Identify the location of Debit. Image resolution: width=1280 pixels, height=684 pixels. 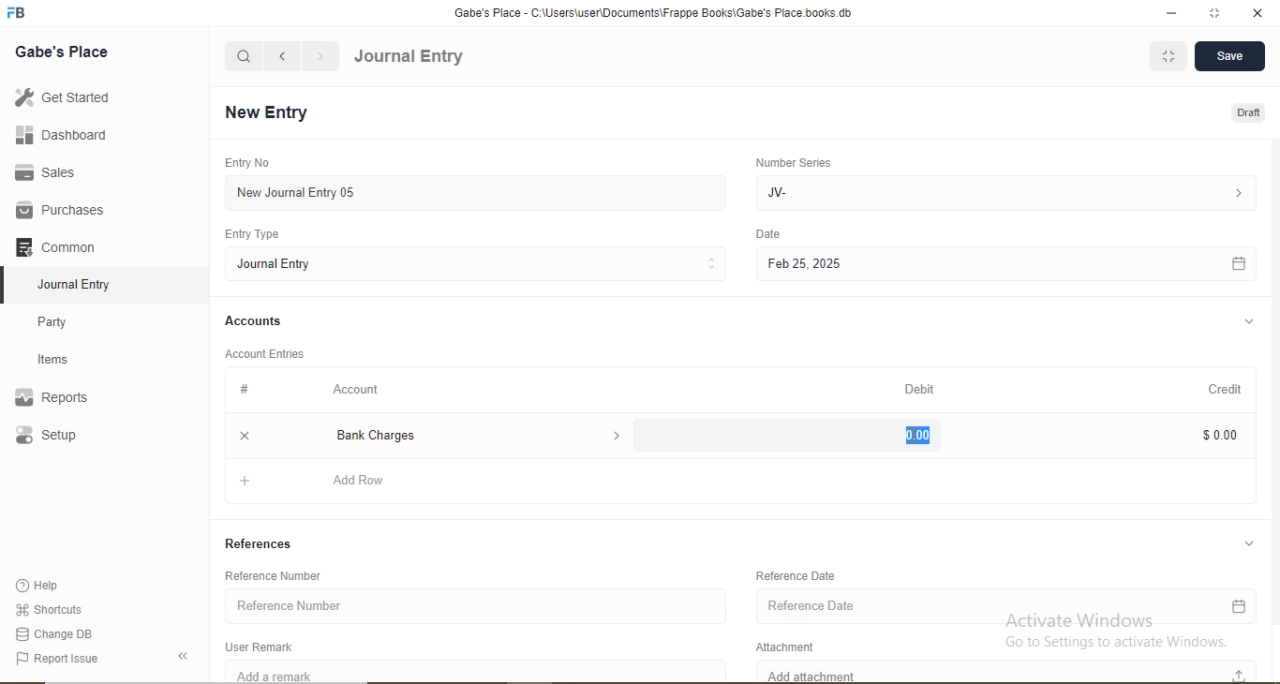
(922, 390).